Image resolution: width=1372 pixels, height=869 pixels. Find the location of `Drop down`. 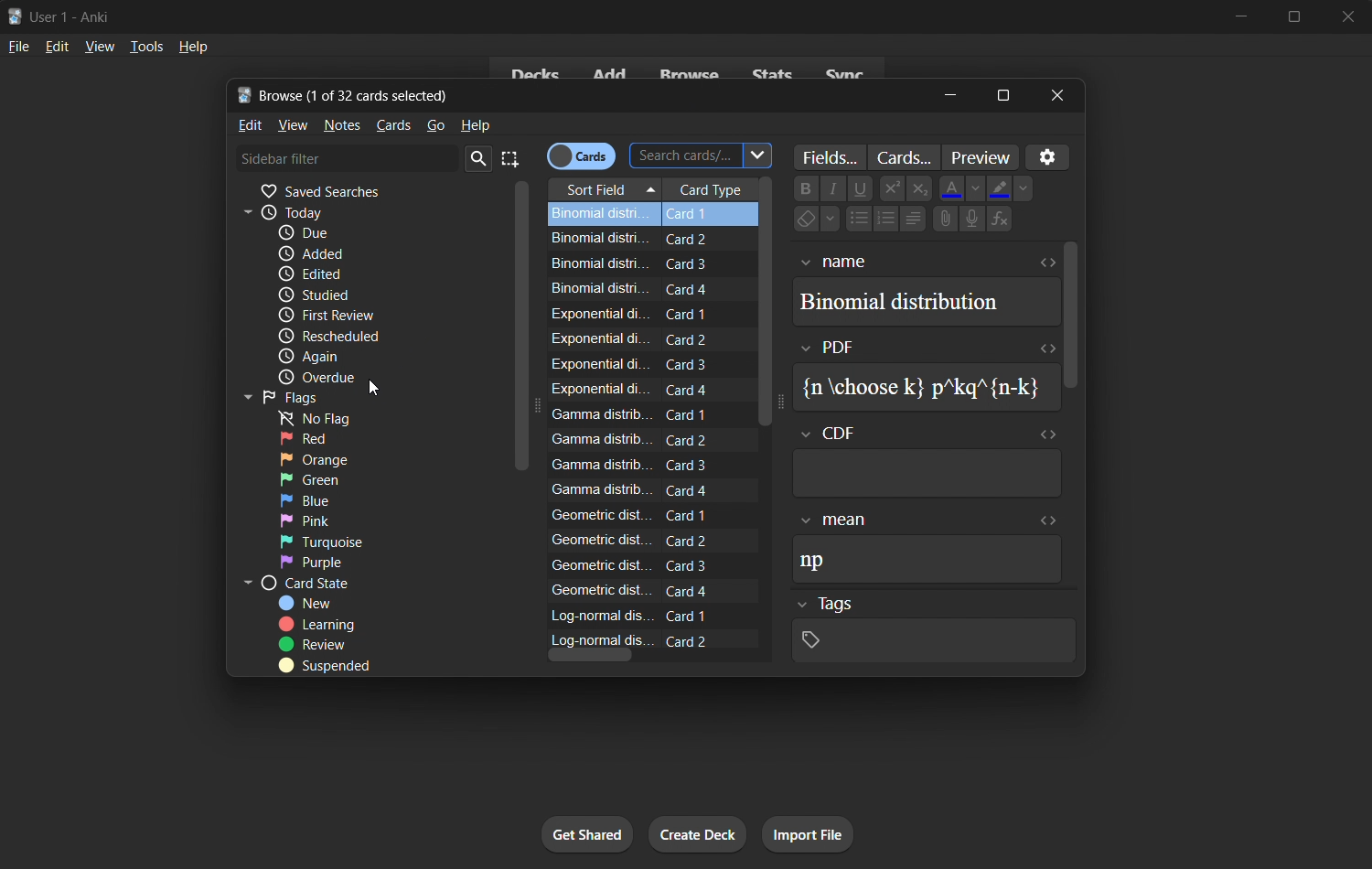

Drop down is located at coordinates (807, 435).